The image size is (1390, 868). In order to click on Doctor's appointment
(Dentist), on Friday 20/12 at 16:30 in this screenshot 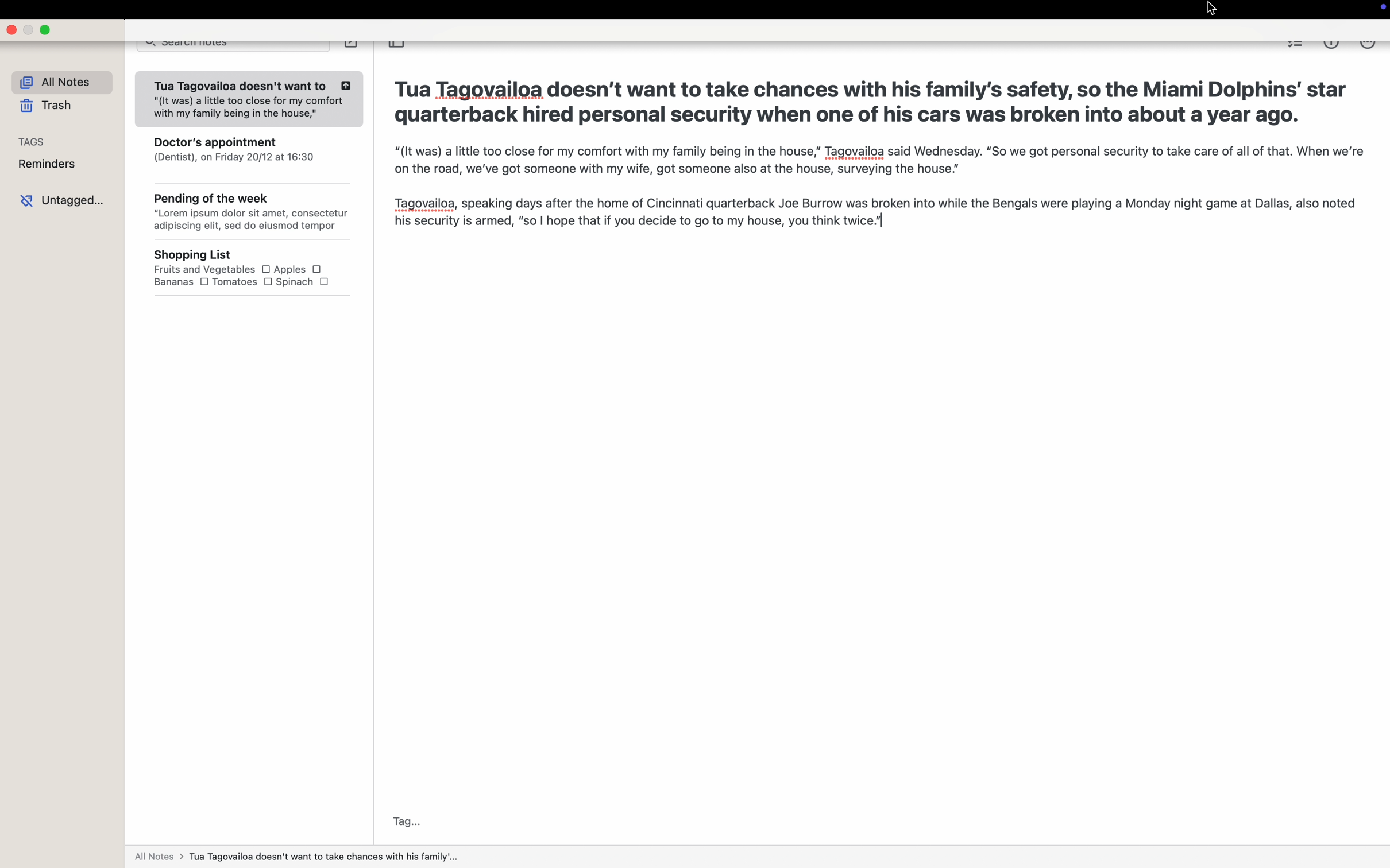, I will do `click(234, 150)`.